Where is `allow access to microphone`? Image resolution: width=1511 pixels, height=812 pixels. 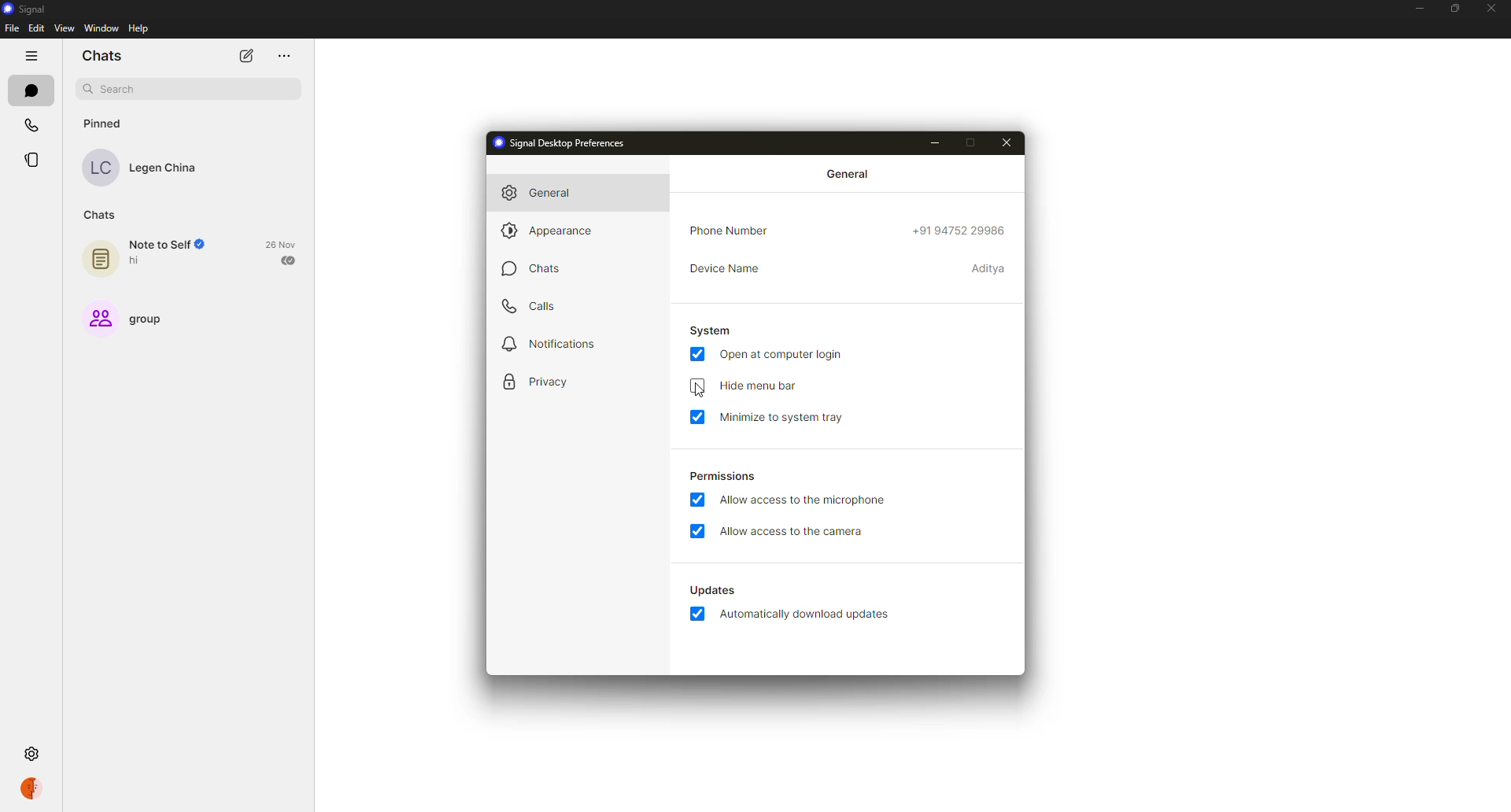 allow access to microphone is located at coordinates (804, 500).